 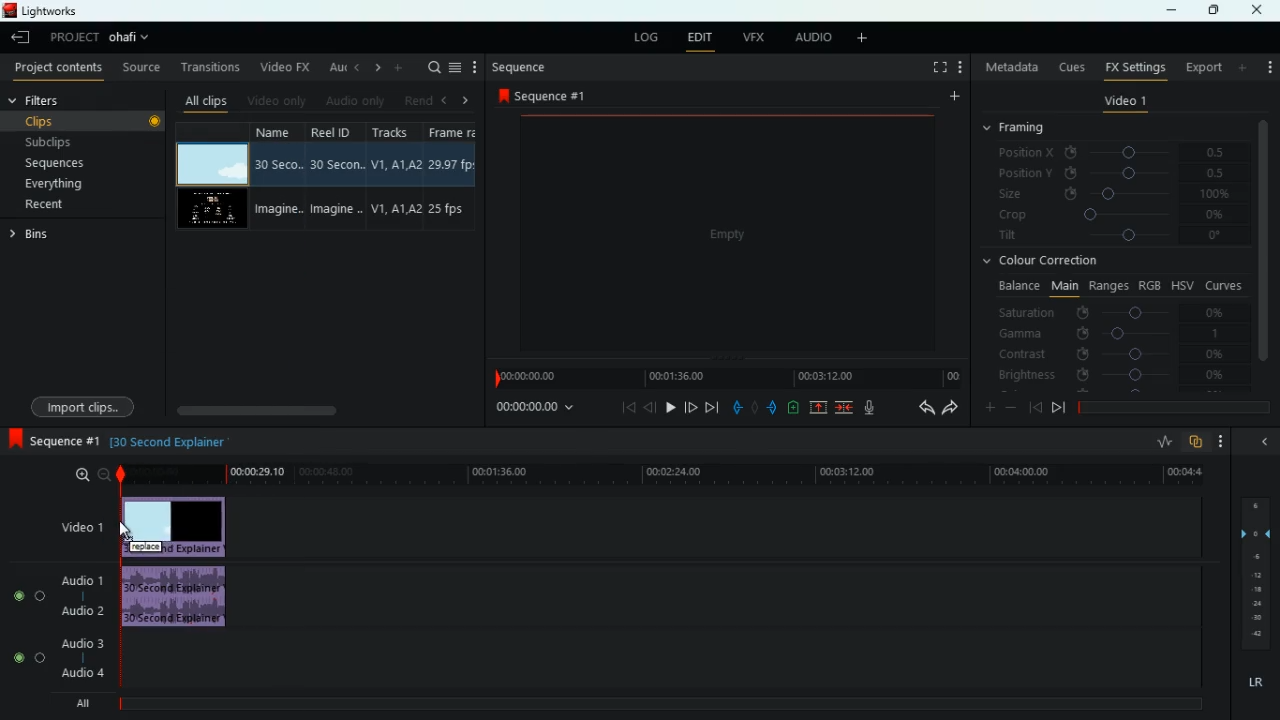 What do you see at coordinates (659, 475) in the screenshot?
I see `time` at bounding box center [659, 475].